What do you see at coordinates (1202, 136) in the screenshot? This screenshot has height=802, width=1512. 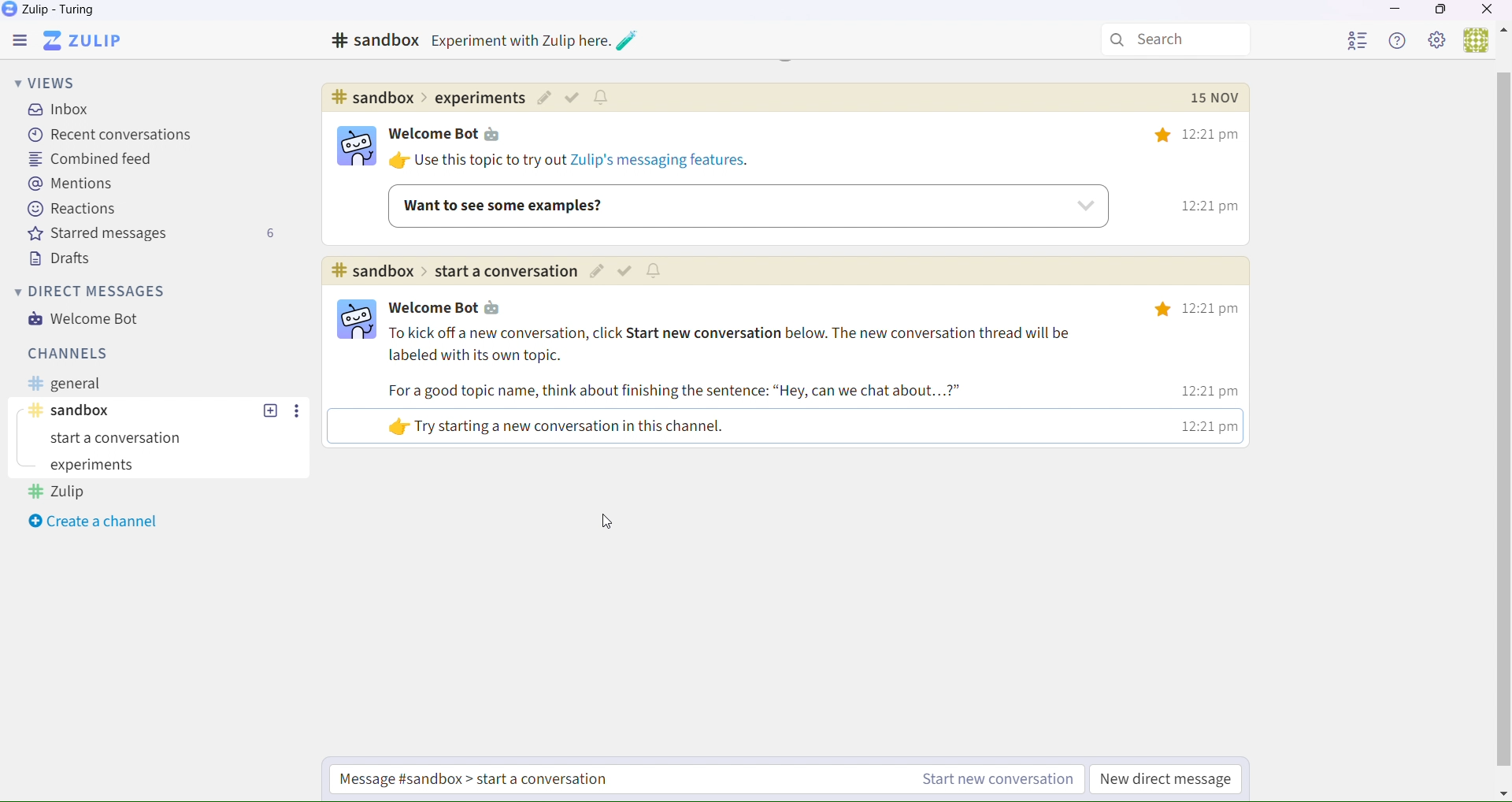 I see `12:21 pm` at bounding box center [1202, 136].